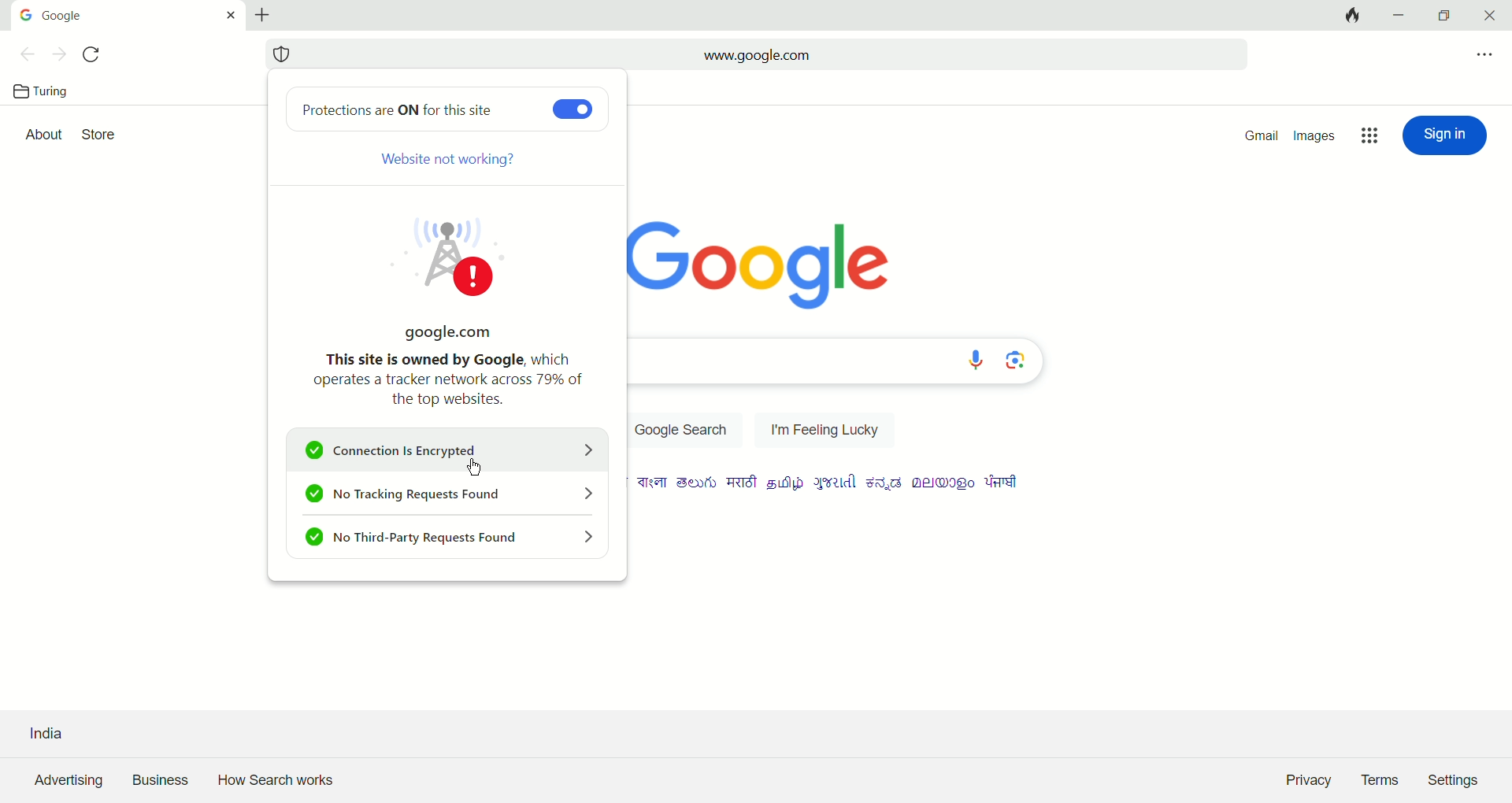  Describe the element at coordinates (785, 484) in the screenshot. I see `language` at that location.